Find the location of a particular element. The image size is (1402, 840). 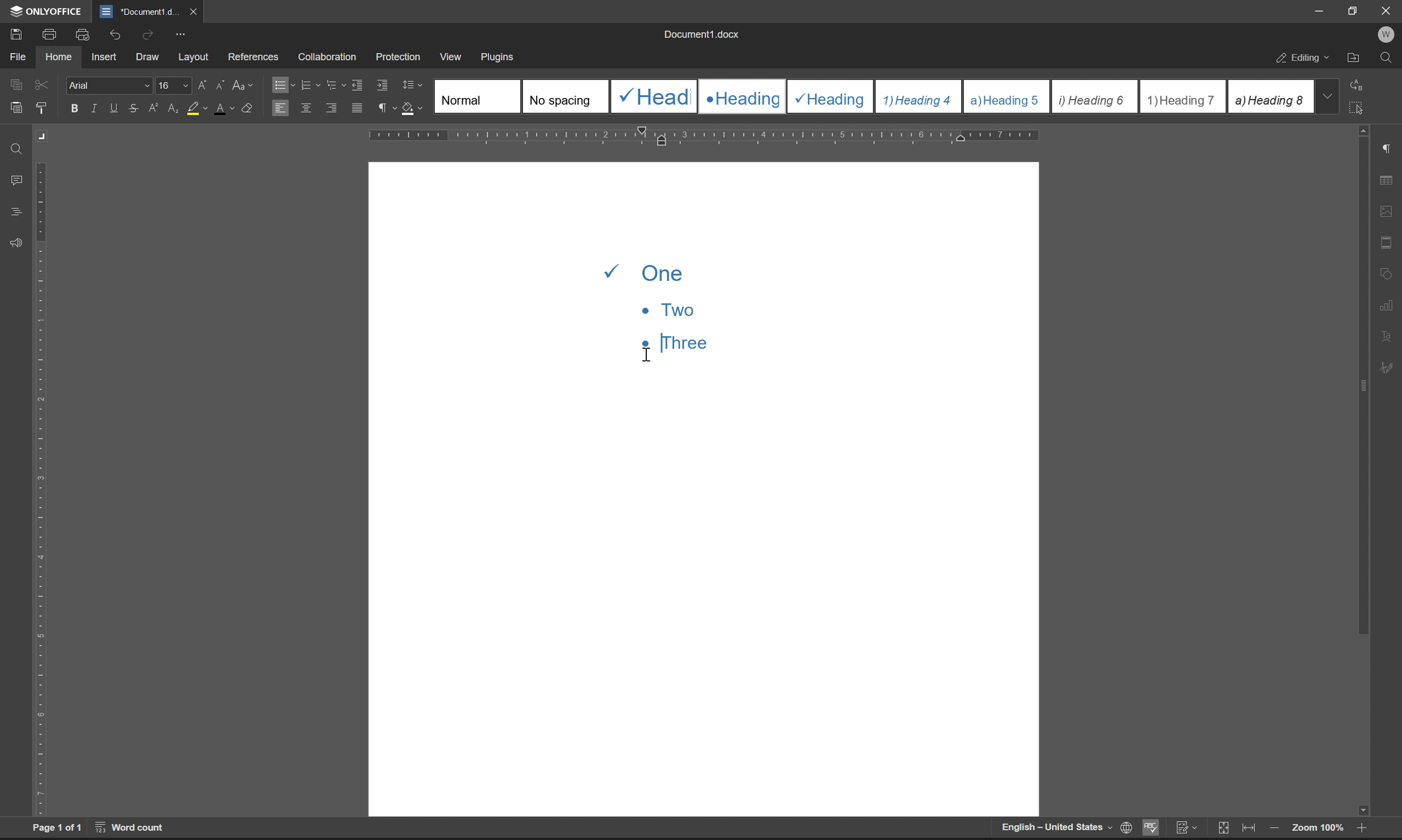

document1.docx is located at coordinates (700, 34).